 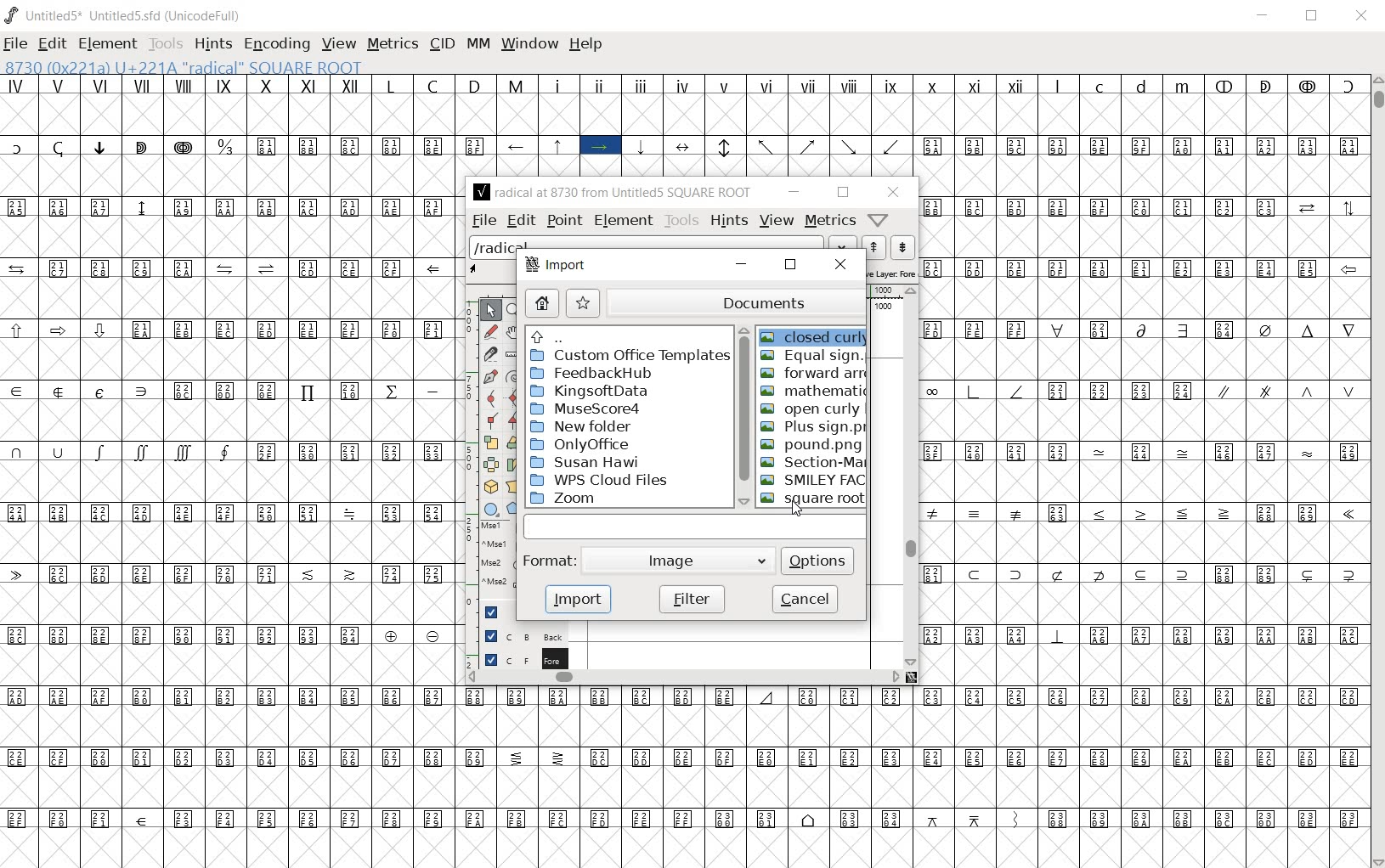 What do you see at coordinates (775, 220) in the screenshot?
I see `view` at bounding box center [775, 220].